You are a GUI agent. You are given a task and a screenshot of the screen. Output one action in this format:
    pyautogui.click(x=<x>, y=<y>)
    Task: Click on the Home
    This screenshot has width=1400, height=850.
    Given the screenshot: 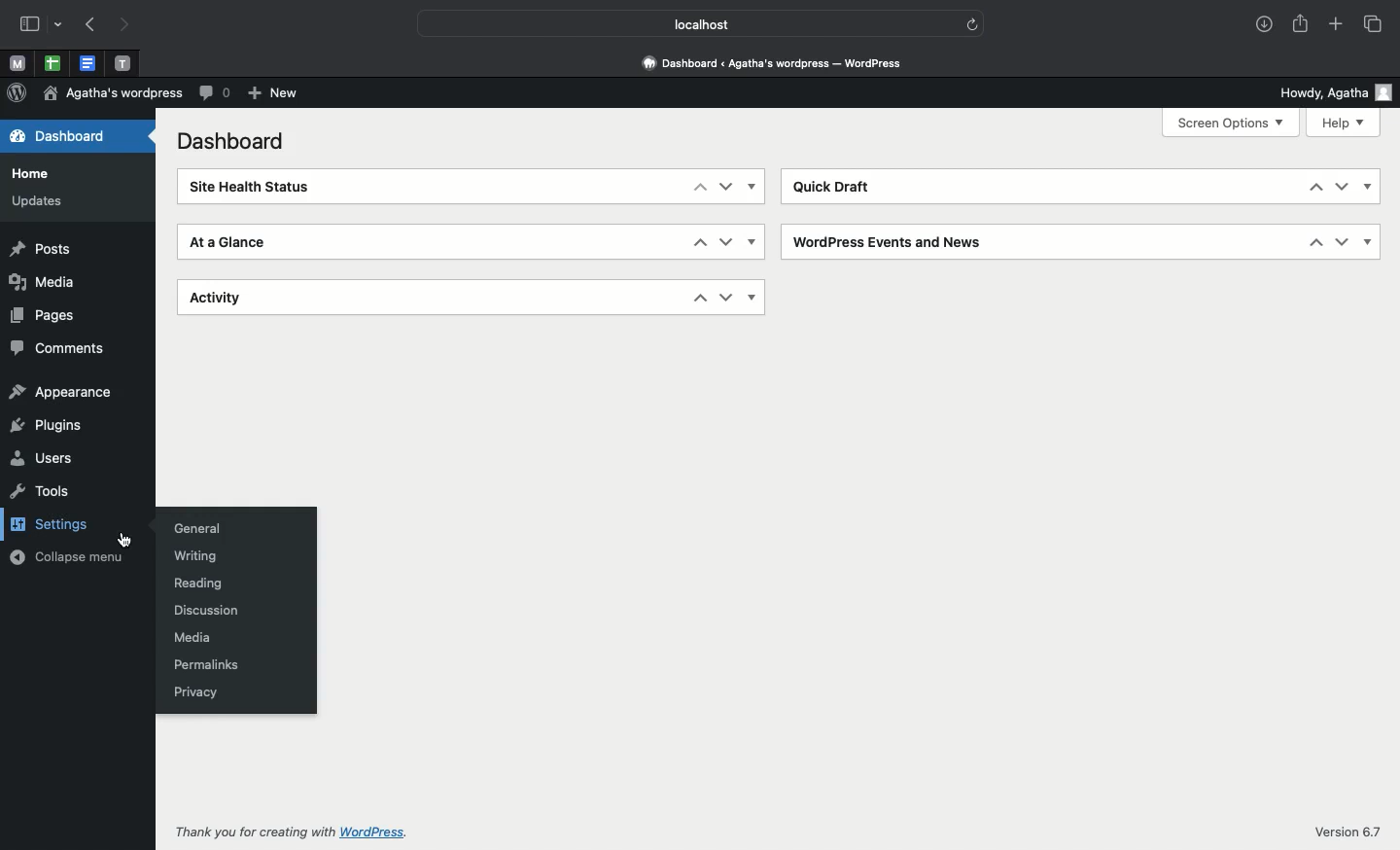 What is the action you would take?
    pyautogui.click(x=34, y=173)
    